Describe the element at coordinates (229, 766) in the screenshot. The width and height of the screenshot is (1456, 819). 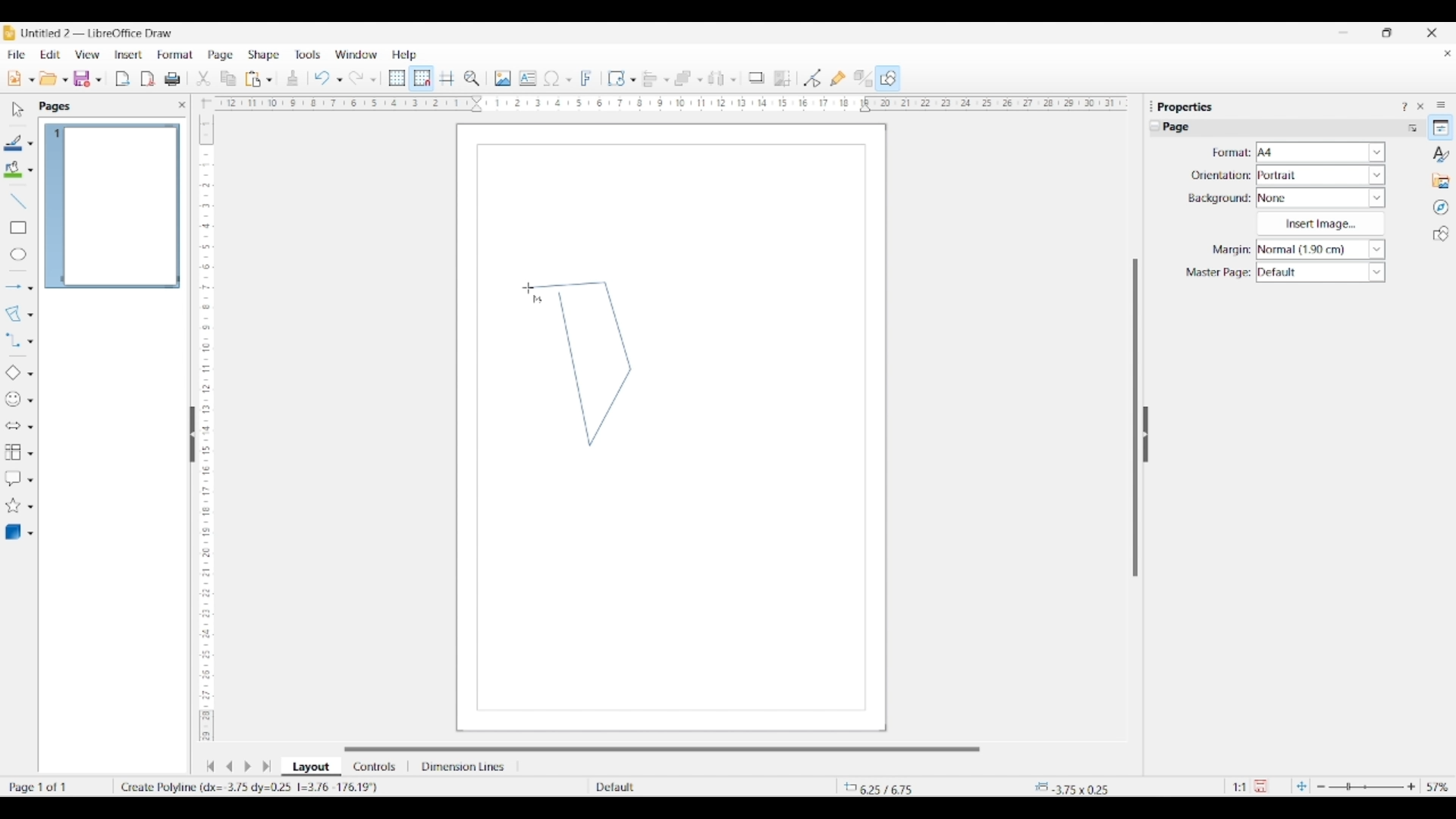
I see `Move to previous slide` at that location.